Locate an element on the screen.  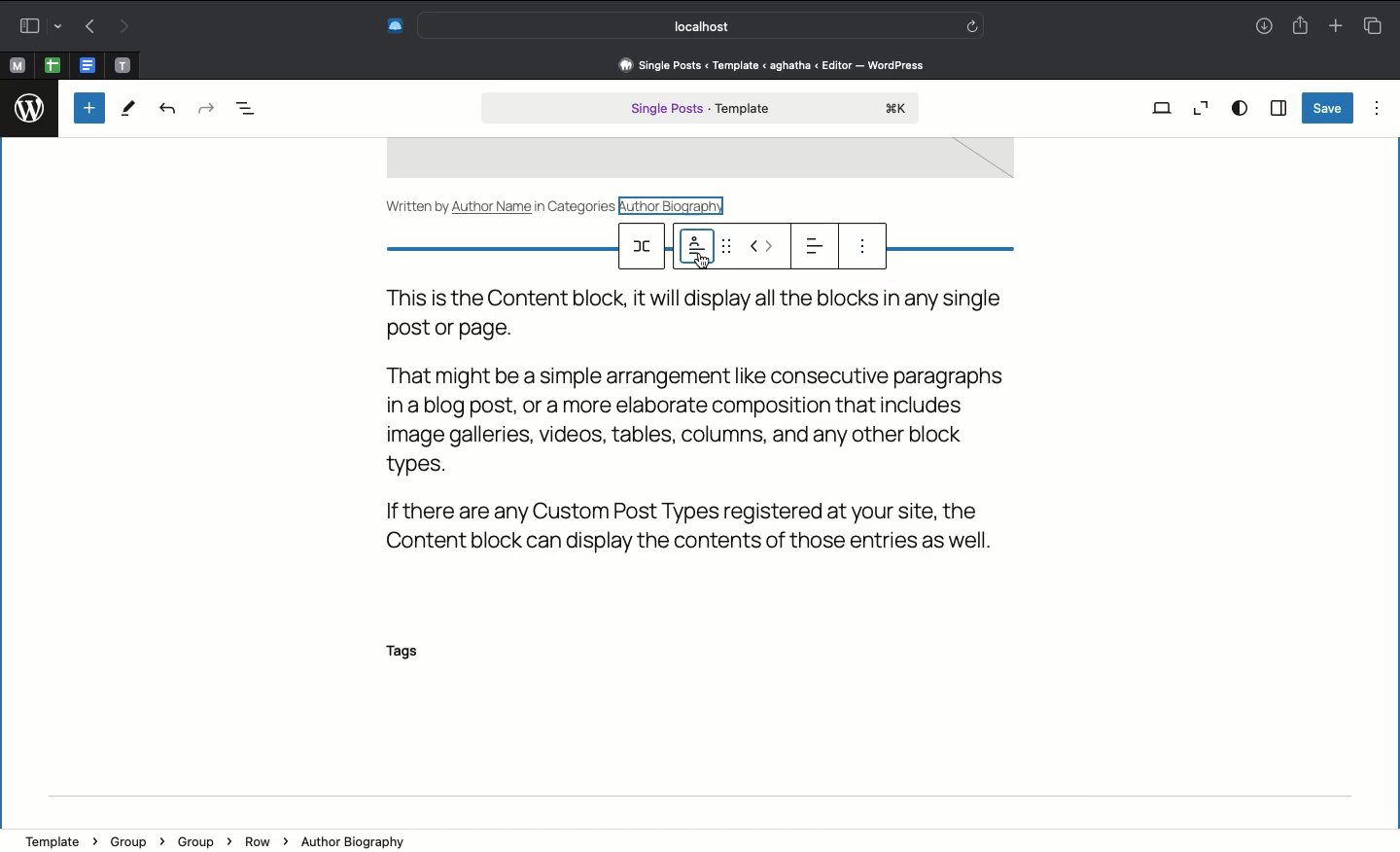
New tab is located at coordinates (1336, 27).